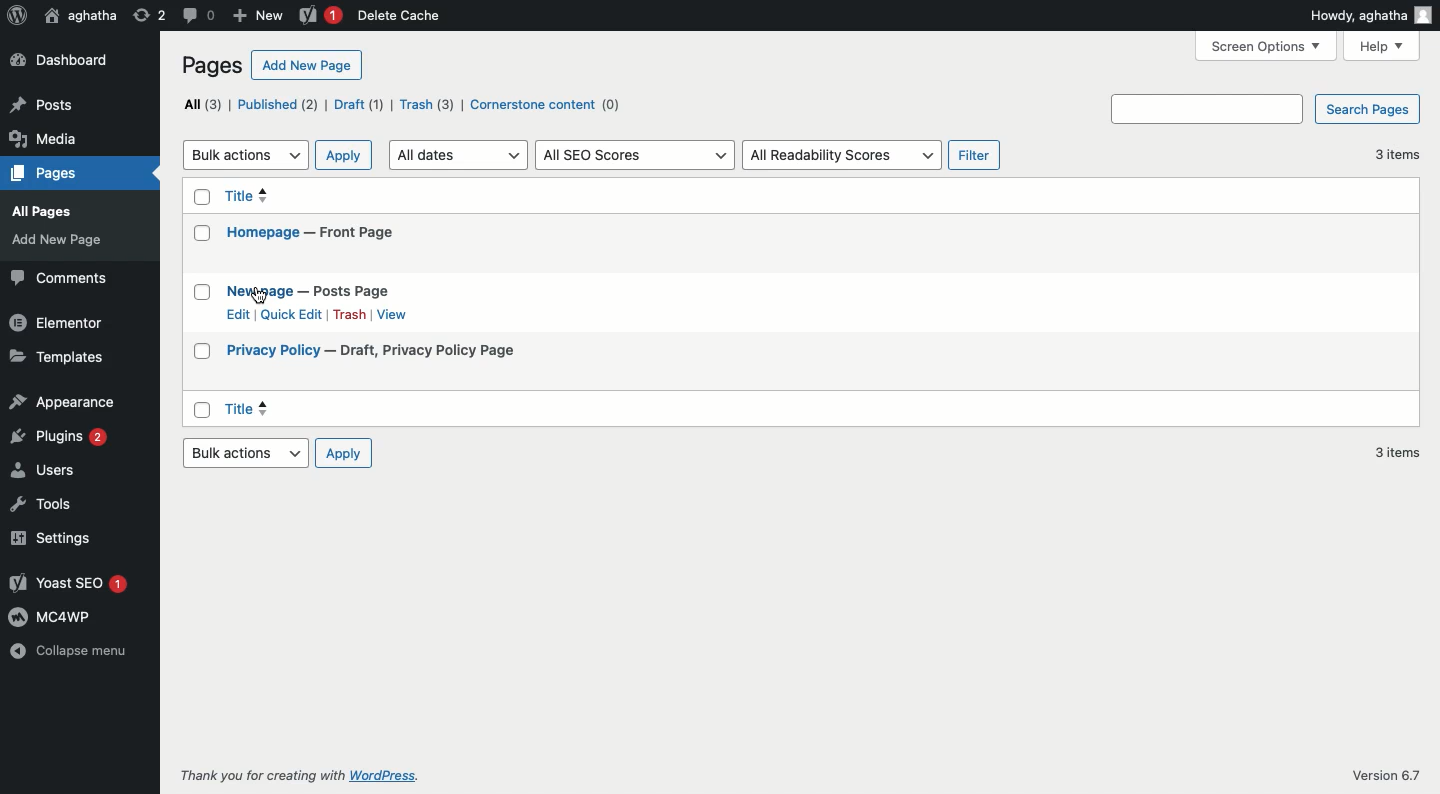 Image resolution: width=1440 pixels, height=794 pixels. What do you see at coordinates (1268, 46) in the screenshot?
I see `Screen options` at bounding box center [1268, 46].